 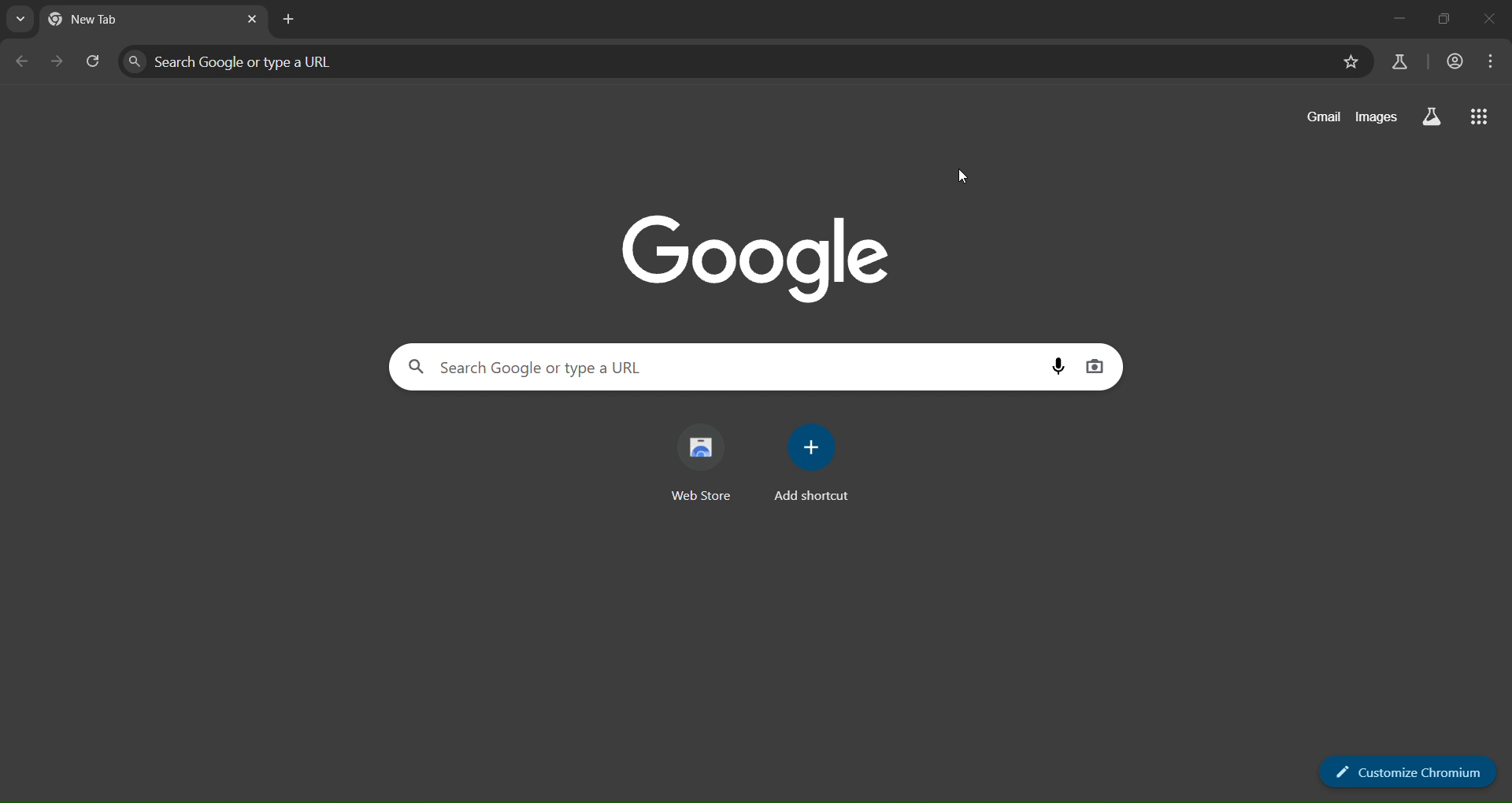 I want to click on web store, so click(x=709, y=461).